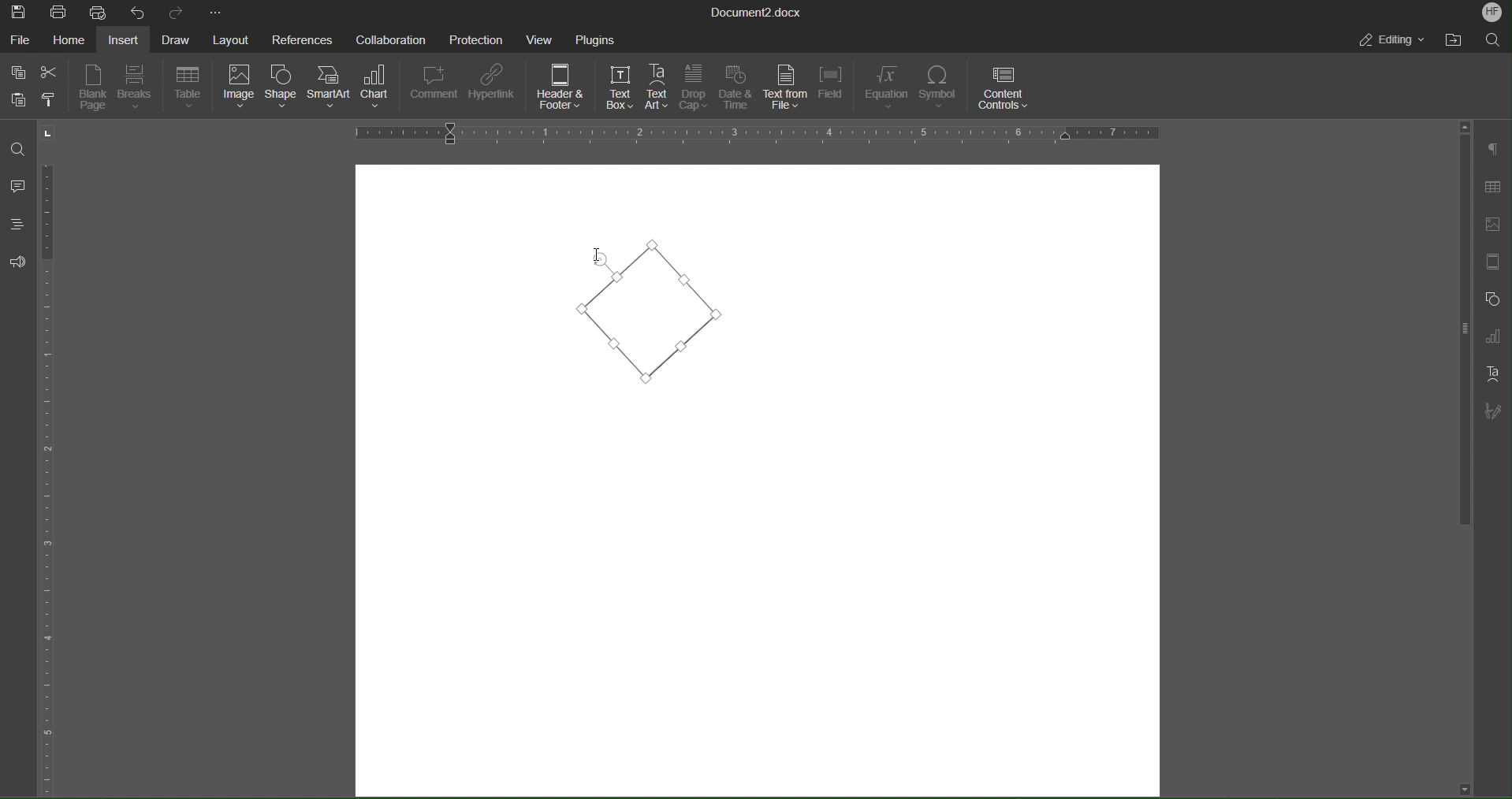 The width and height of the screenshot is (1512, 799). Describe the element at coordinates (17, 70) in the screenshot. I see `Copy` at that location.